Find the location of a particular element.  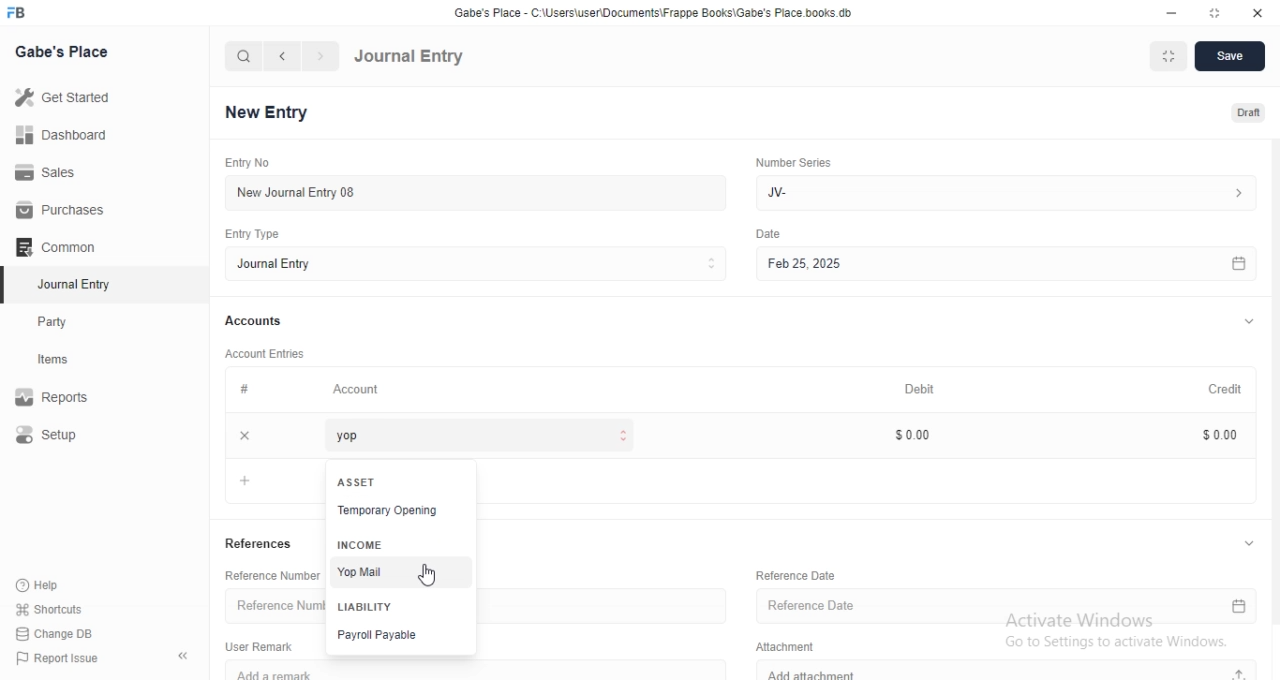

Items is located at coordinates (72, 361).